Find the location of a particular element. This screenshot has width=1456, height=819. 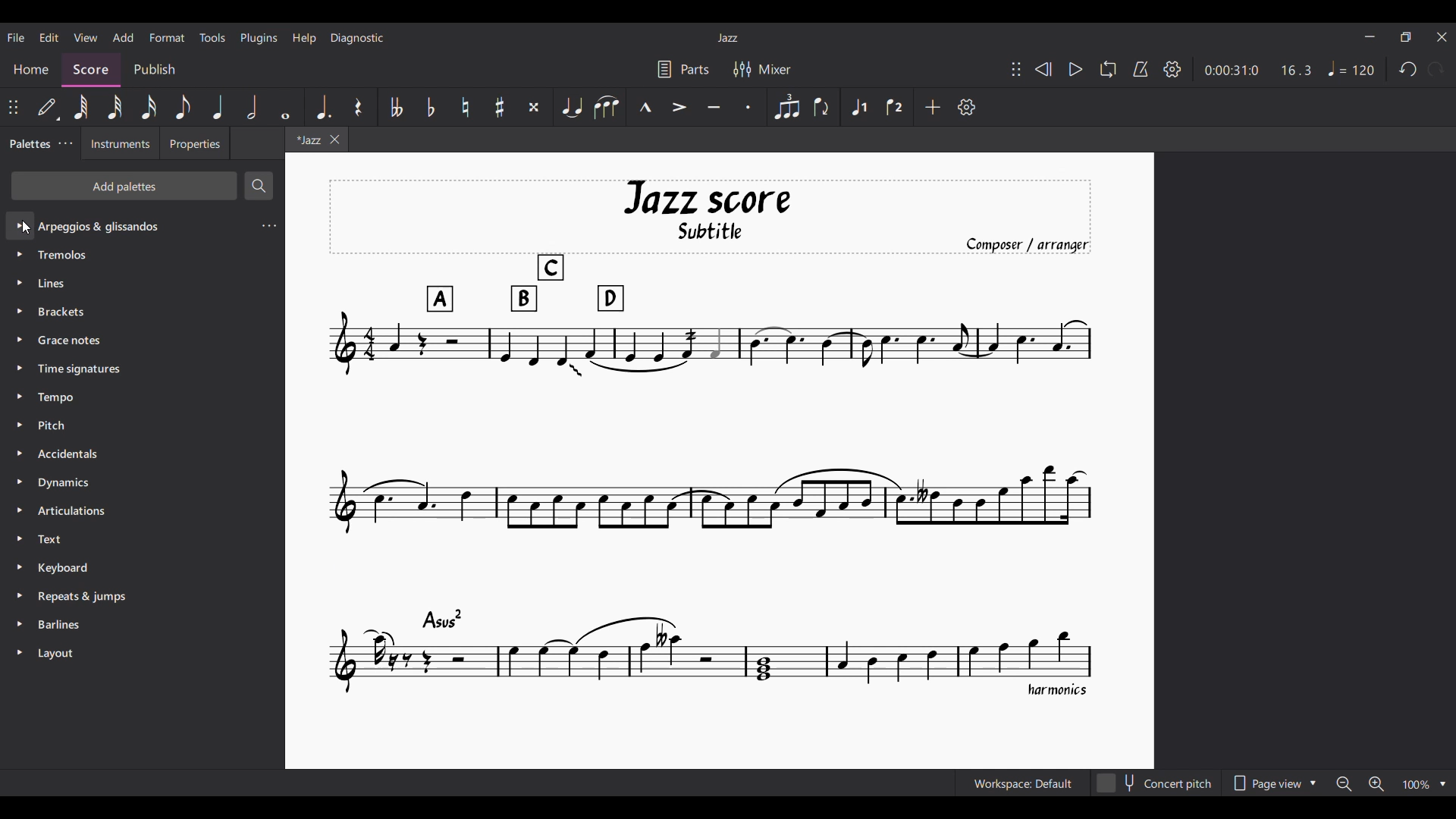

Time signature is located at coordinates (81, 370).